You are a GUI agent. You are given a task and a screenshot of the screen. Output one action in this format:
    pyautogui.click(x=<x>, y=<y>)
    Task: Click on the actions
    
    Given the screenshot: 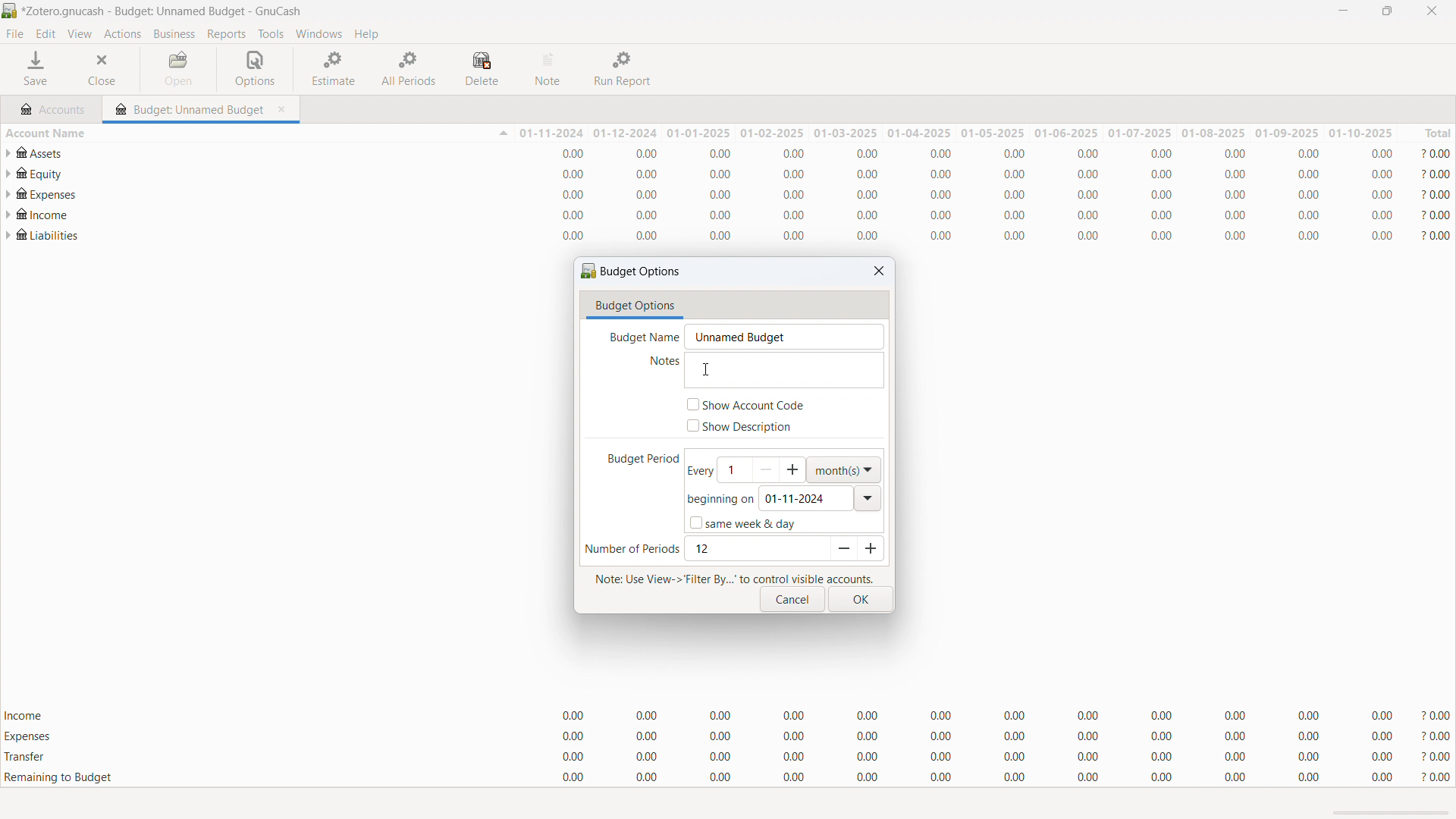 What is the action you would take?
    pyautogui.click(x=122, y=34)
    